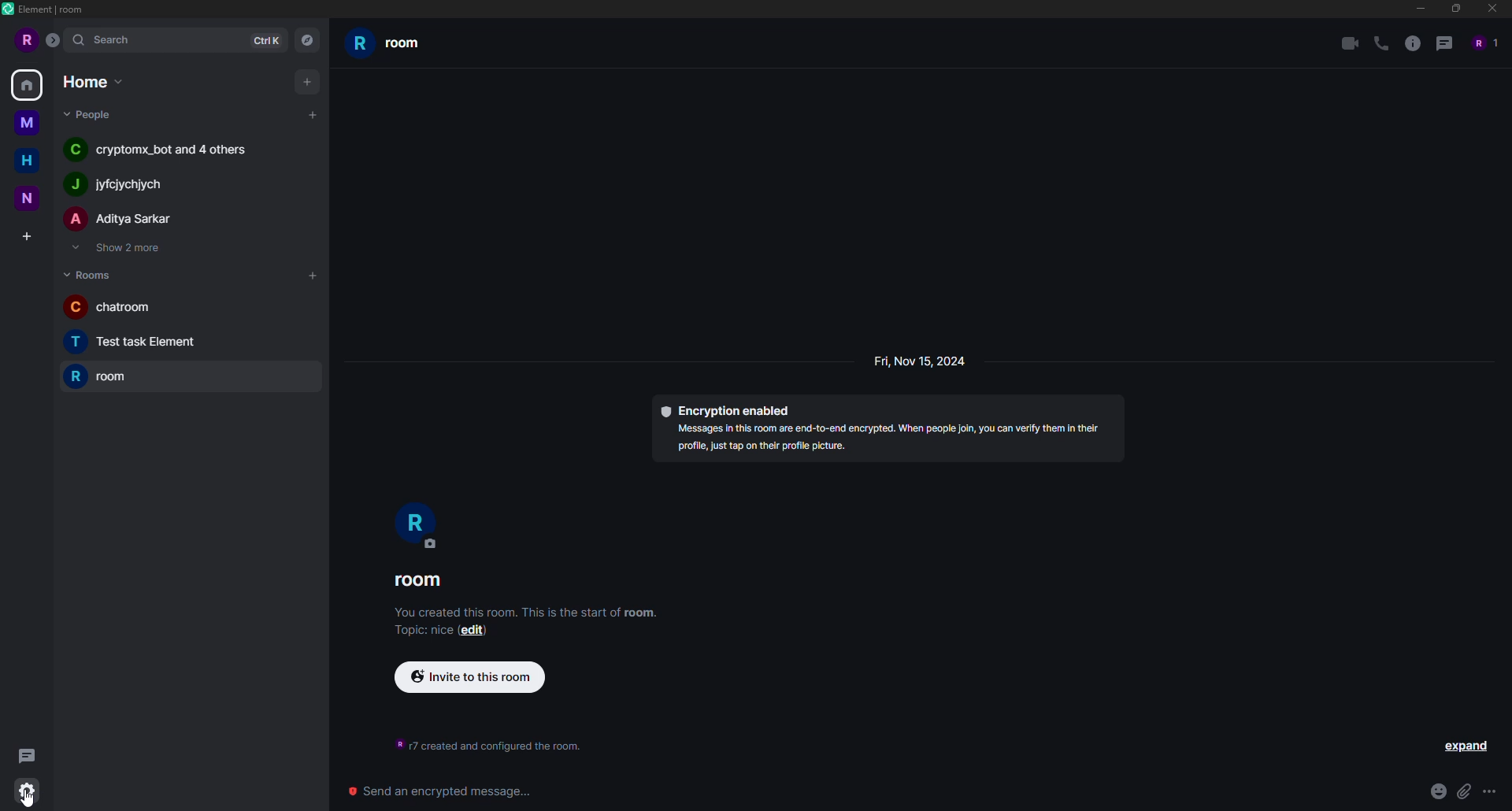 The image size is (1512, 811). I want to click on show 2 more, so click(120, 249).